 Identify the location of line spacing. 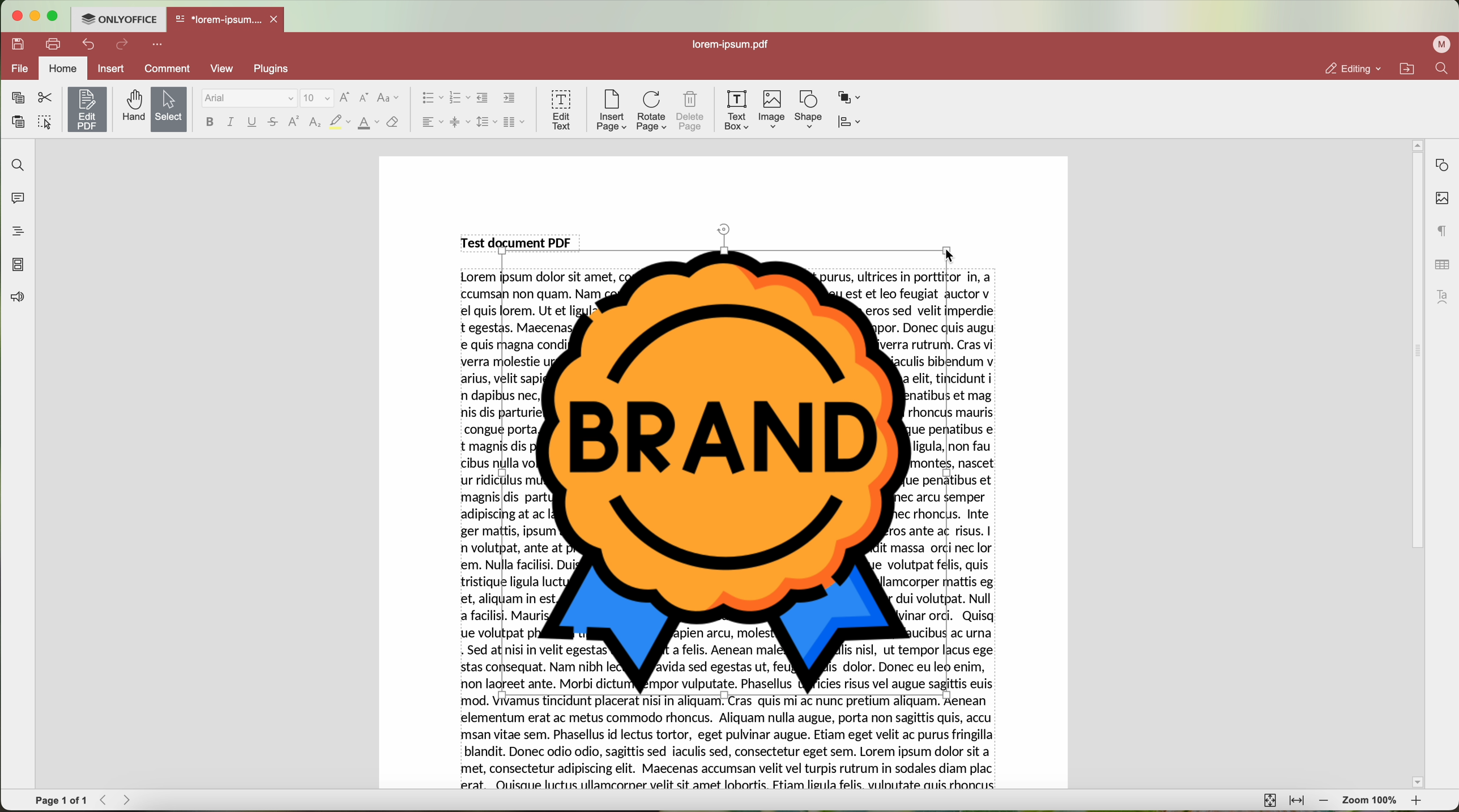
(487, 122).